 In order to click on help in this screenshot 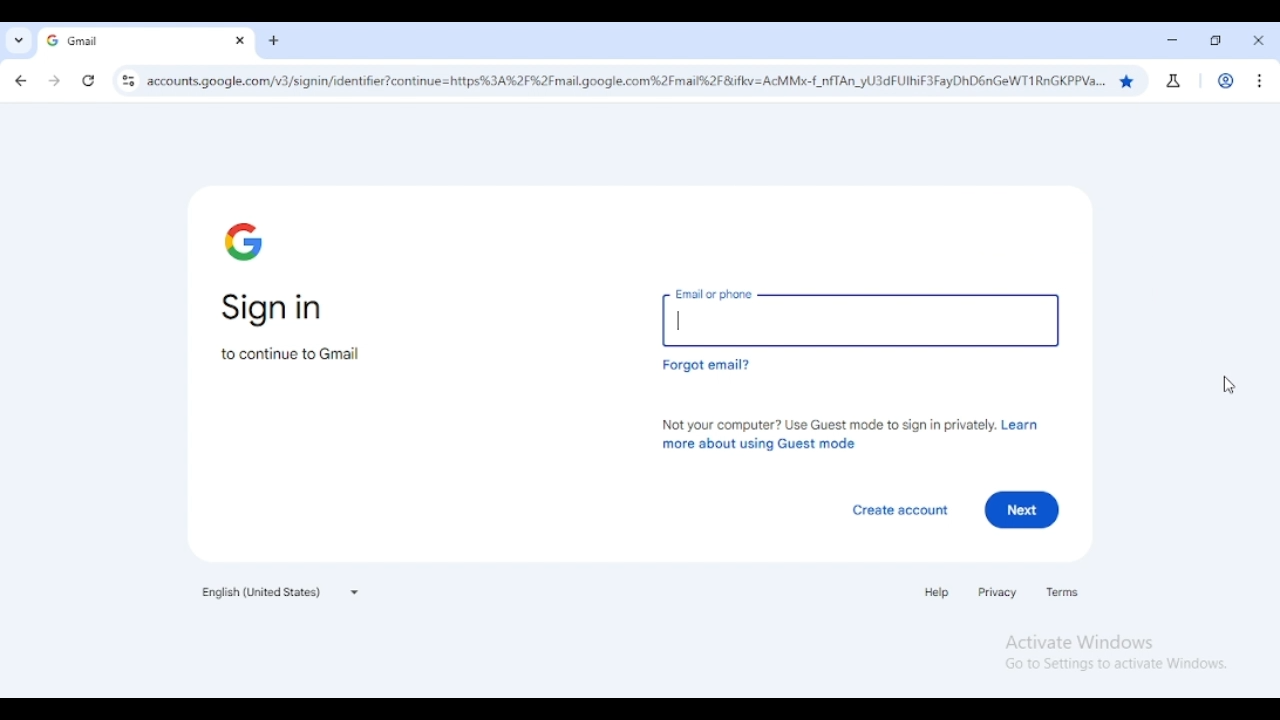, I will do `click(937, 592)`.